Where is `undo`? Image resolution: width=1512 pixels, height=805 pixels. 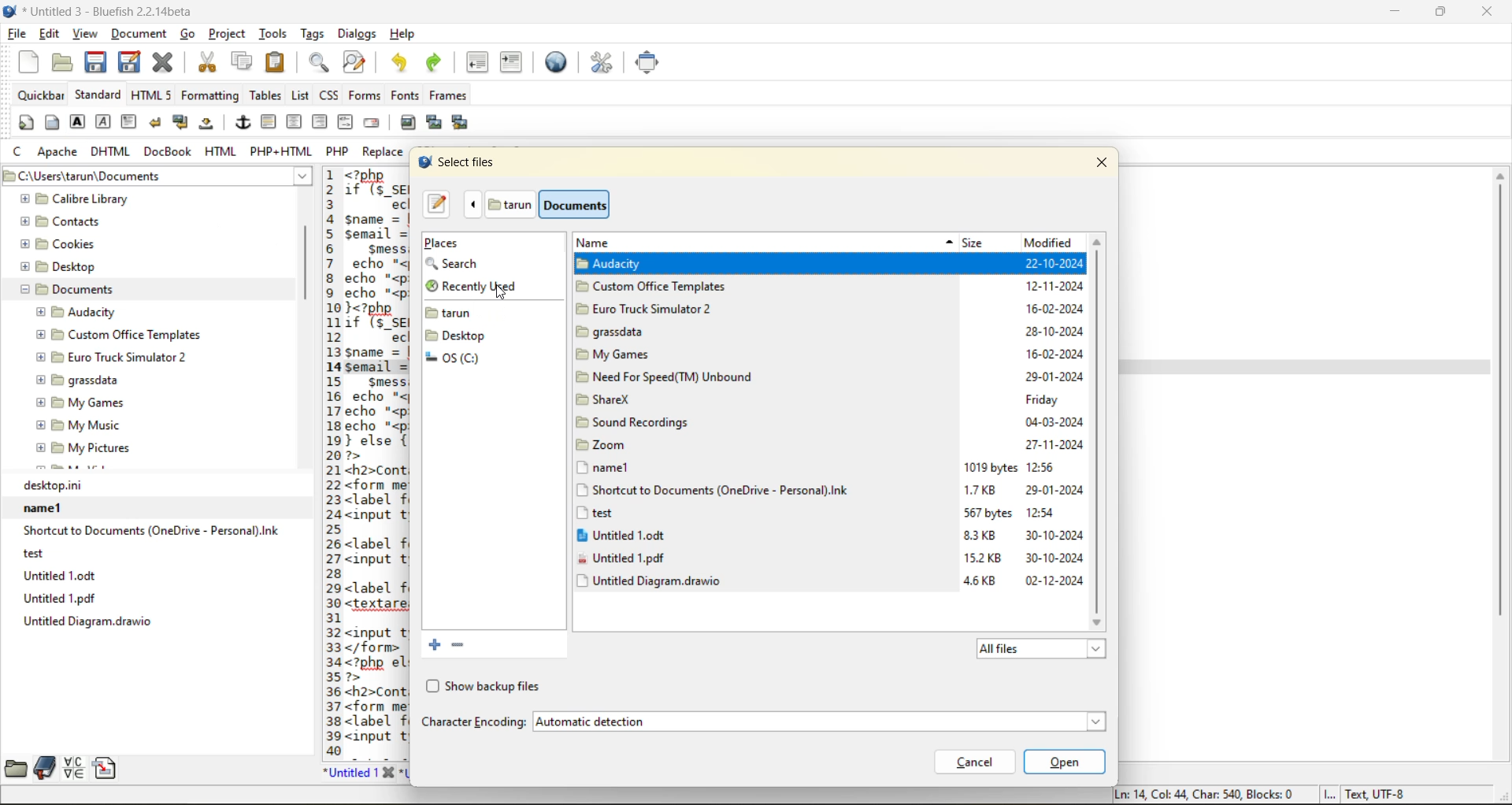 undo is located at coordinates (398, 62).